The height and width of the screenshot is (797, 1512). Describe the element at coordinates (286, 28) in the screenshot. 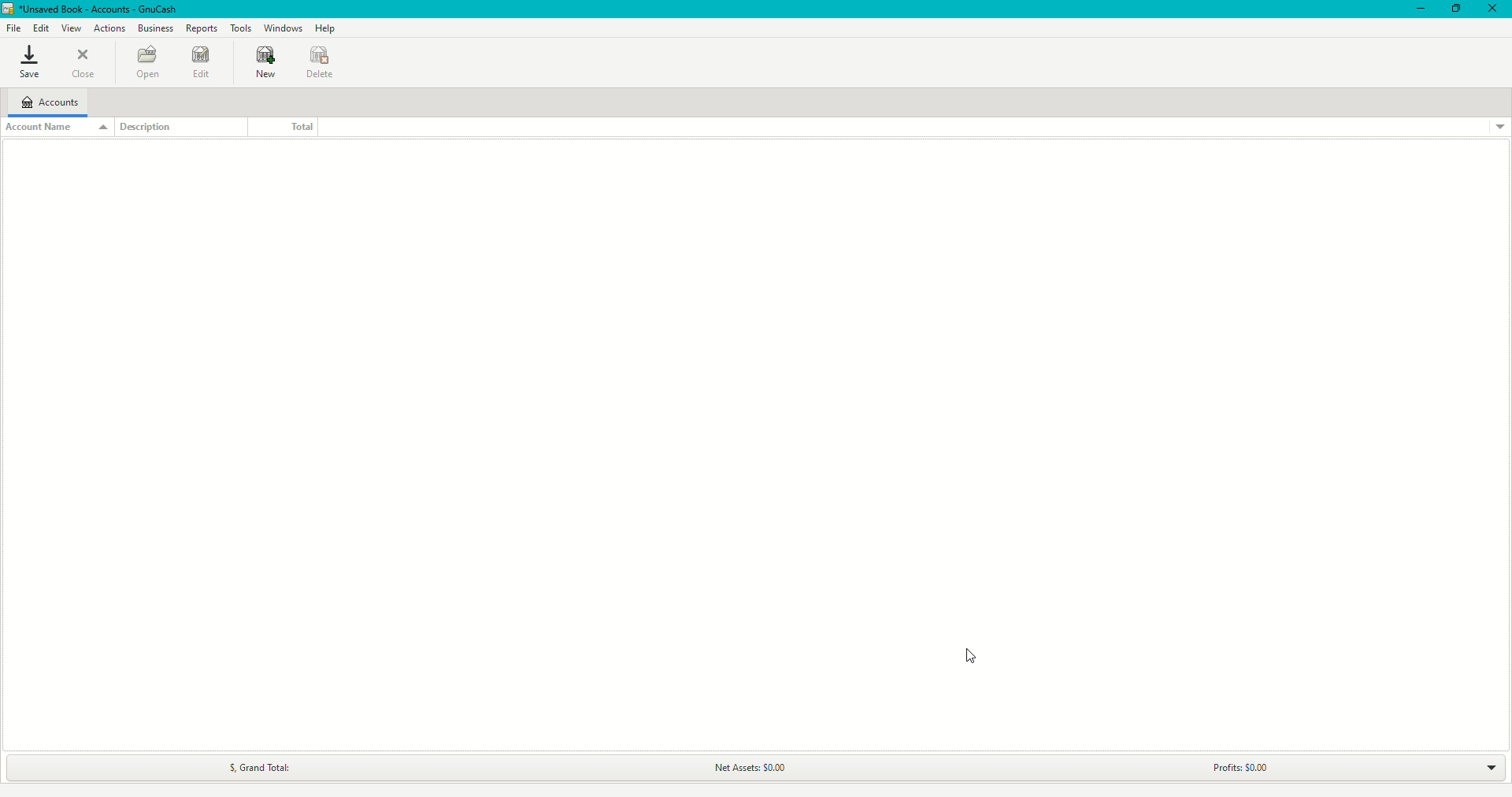

I see `Windows` at that location.